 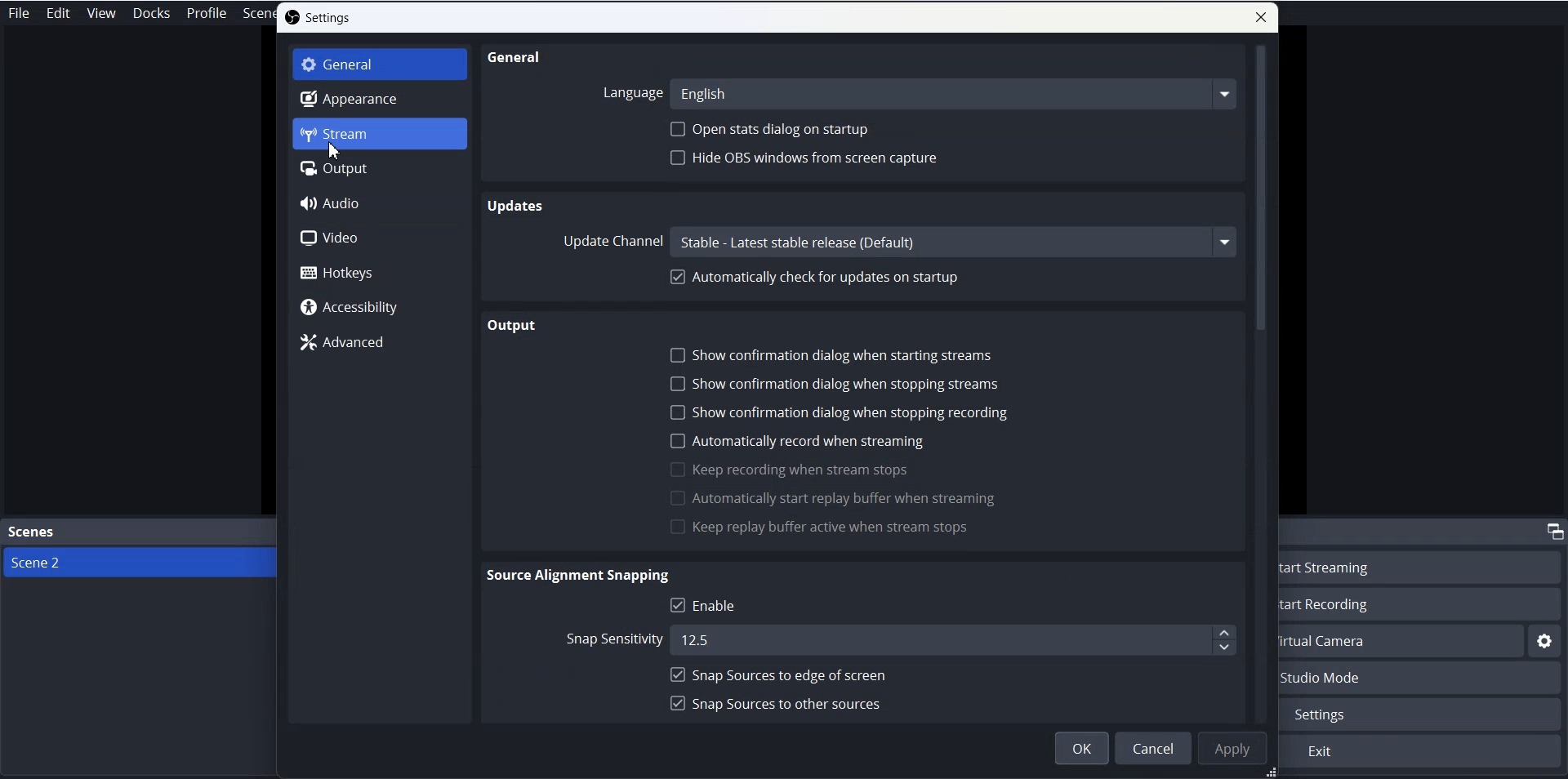 What do you see at coordinates (519, 58) in the screenshot?
I see `General` at bounding box center [519, 58].